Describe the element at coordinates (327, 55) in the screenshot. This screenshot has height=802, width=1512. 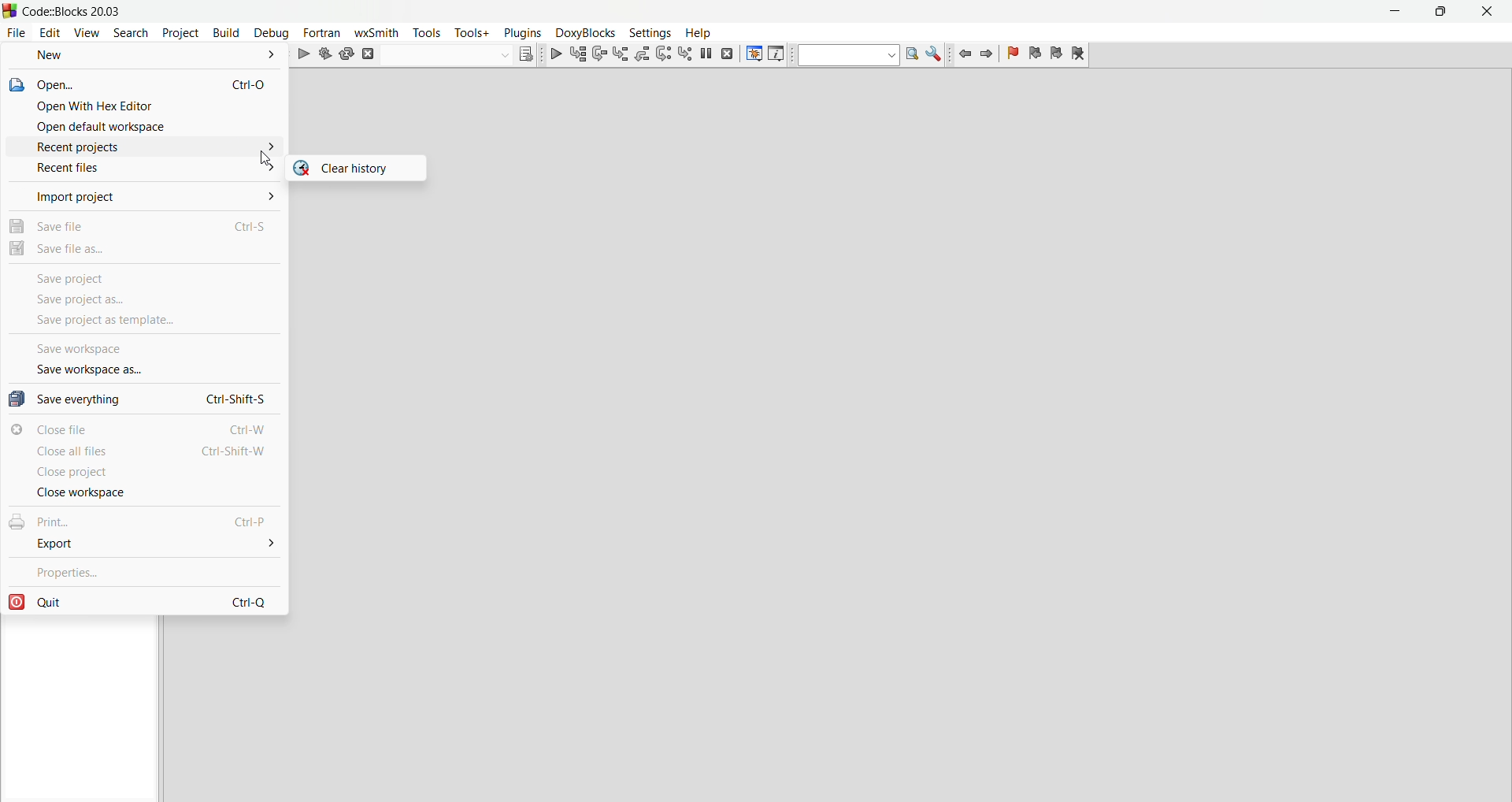
I see `build and run` at that location.